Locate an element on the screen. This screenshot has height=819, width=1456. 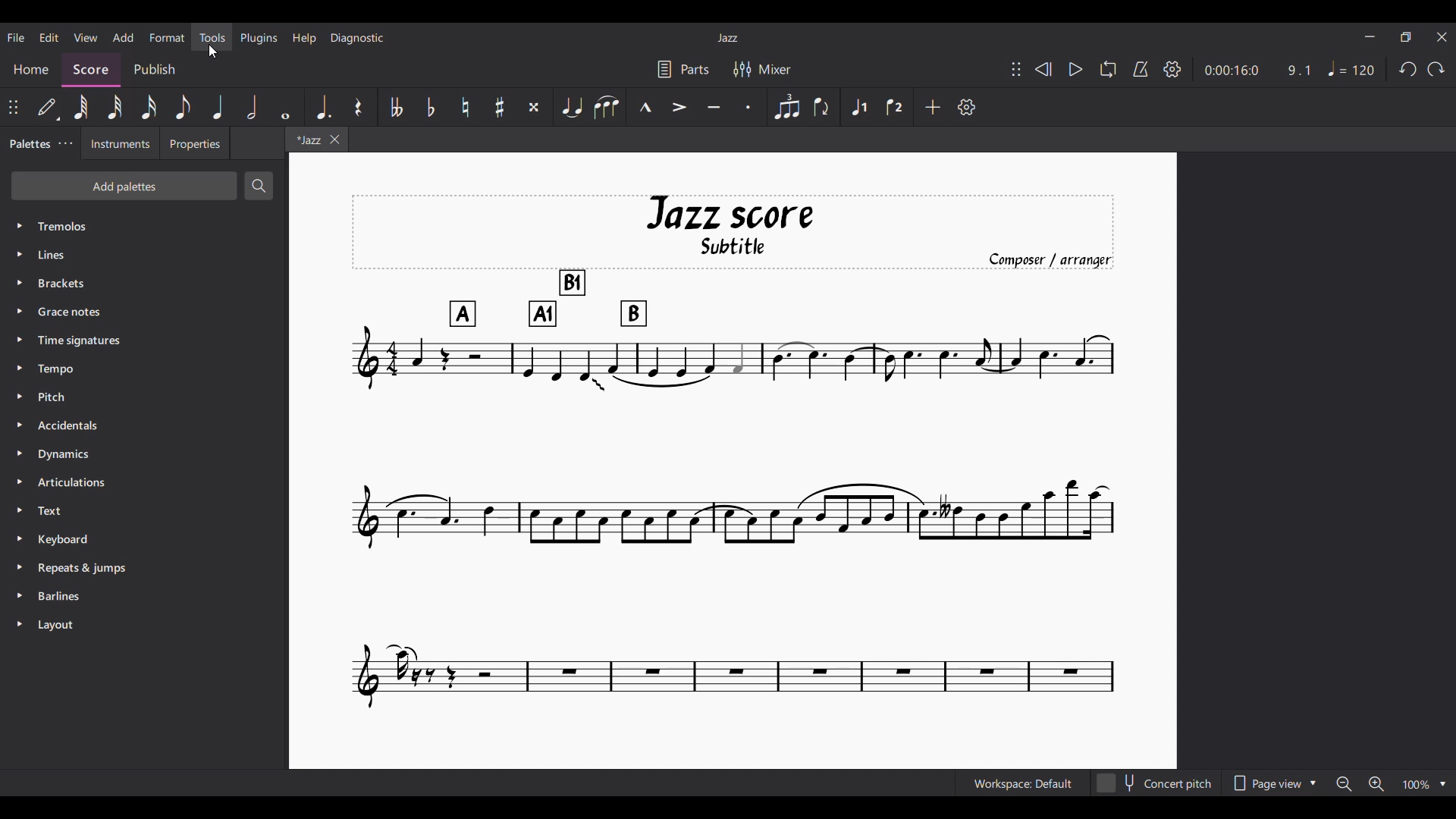
Whole note is located at coordinates (286, 108).